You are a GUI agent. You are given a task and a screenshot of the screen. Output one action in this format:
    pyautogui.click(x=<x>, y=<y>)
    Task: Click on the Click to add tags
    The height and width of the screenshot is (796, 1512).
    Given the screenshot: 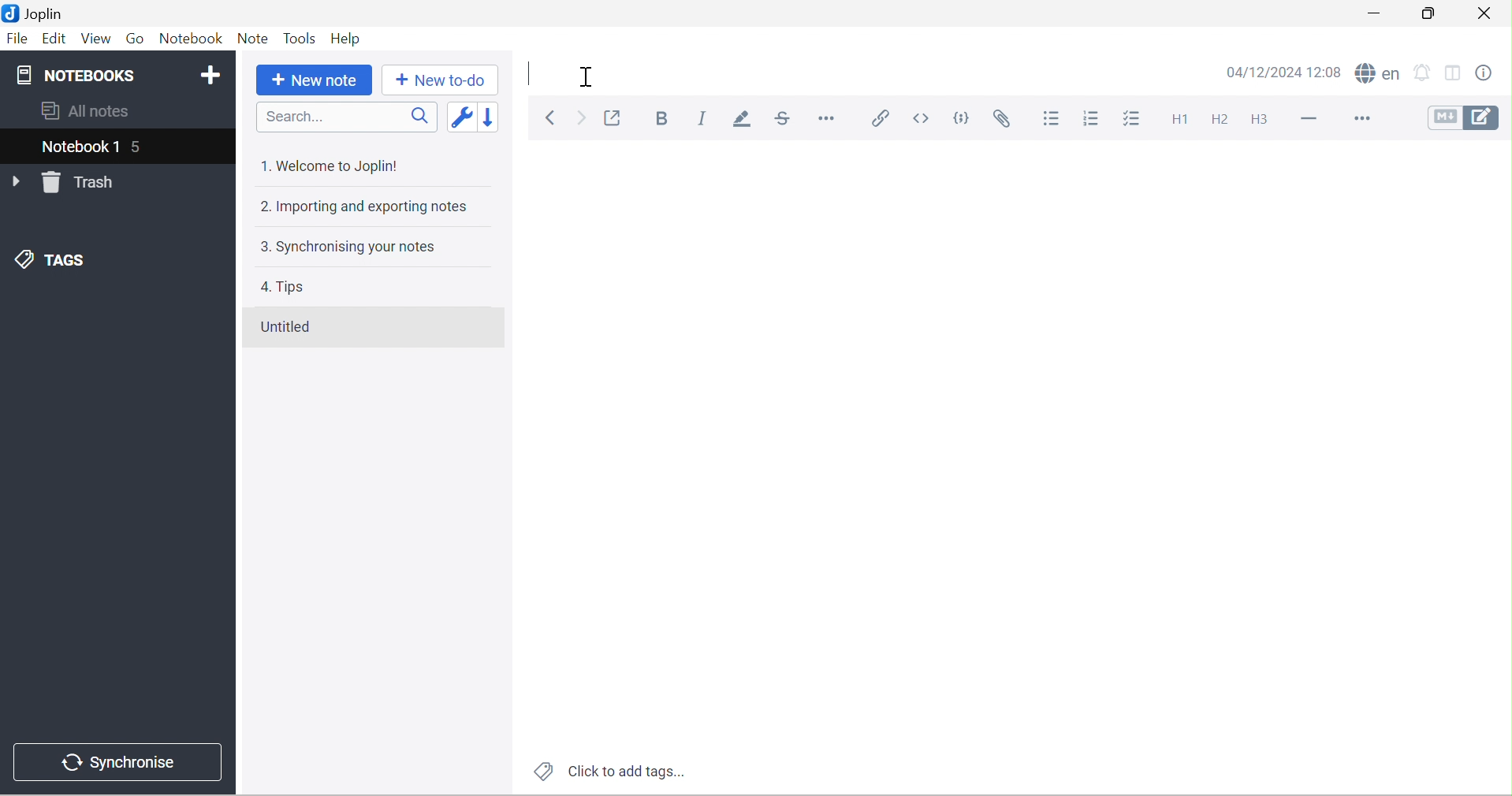 What is the action you would take?
    pyautogui.click(x=612, y=770)
    